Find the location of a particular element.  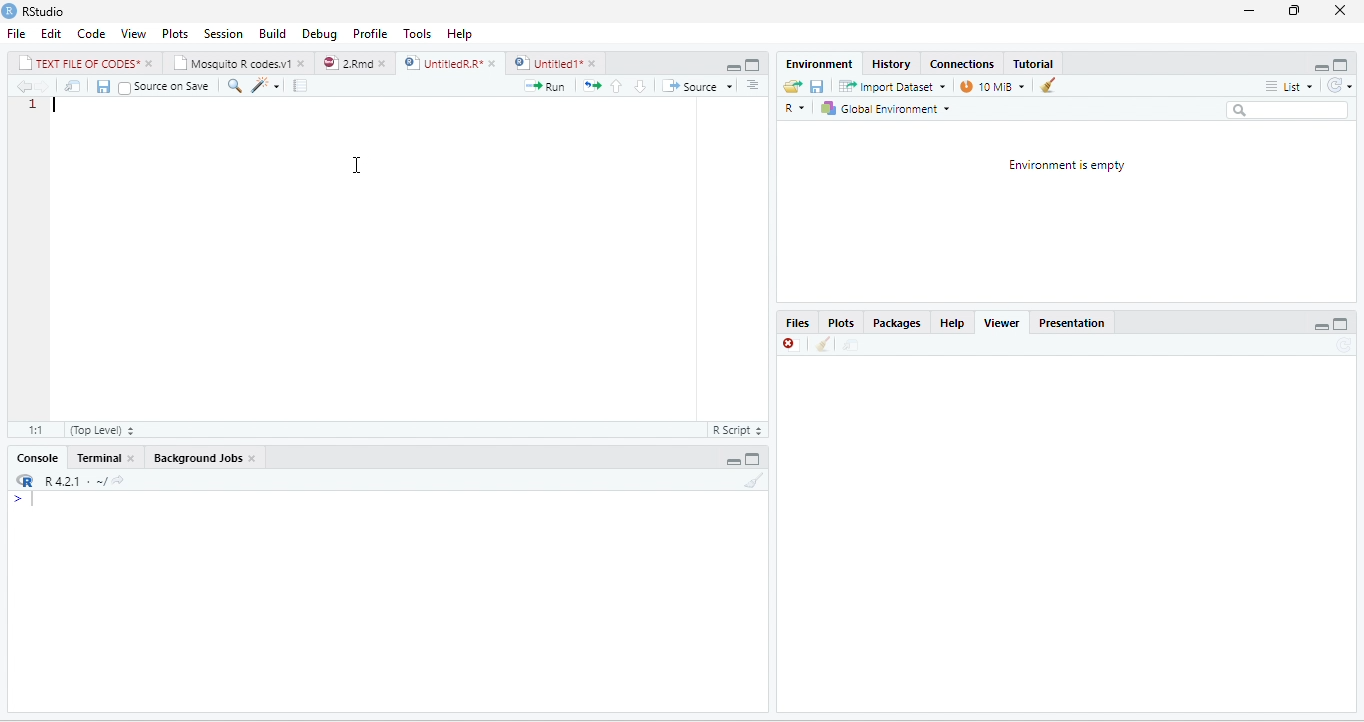

minimize is located at coordinates (754, 64).